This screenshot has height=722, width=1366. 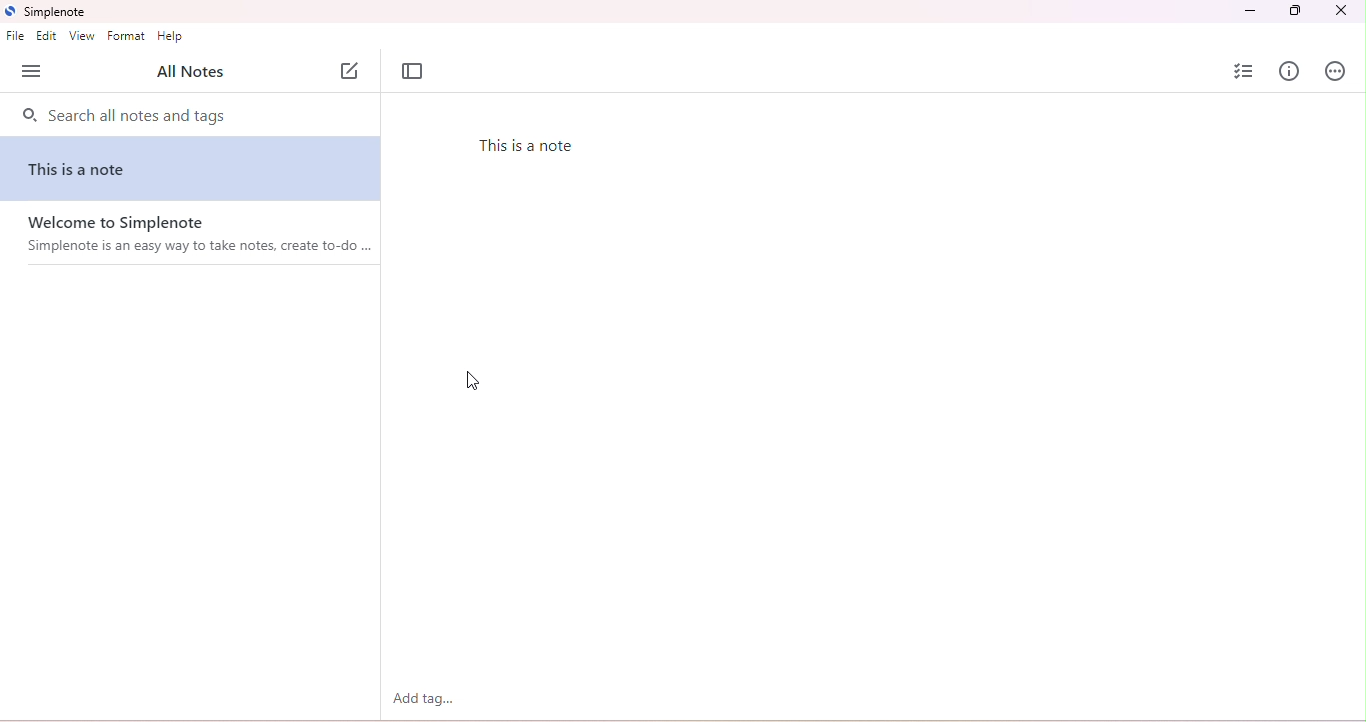 I want to click on new note, so click(x=353, y=71).